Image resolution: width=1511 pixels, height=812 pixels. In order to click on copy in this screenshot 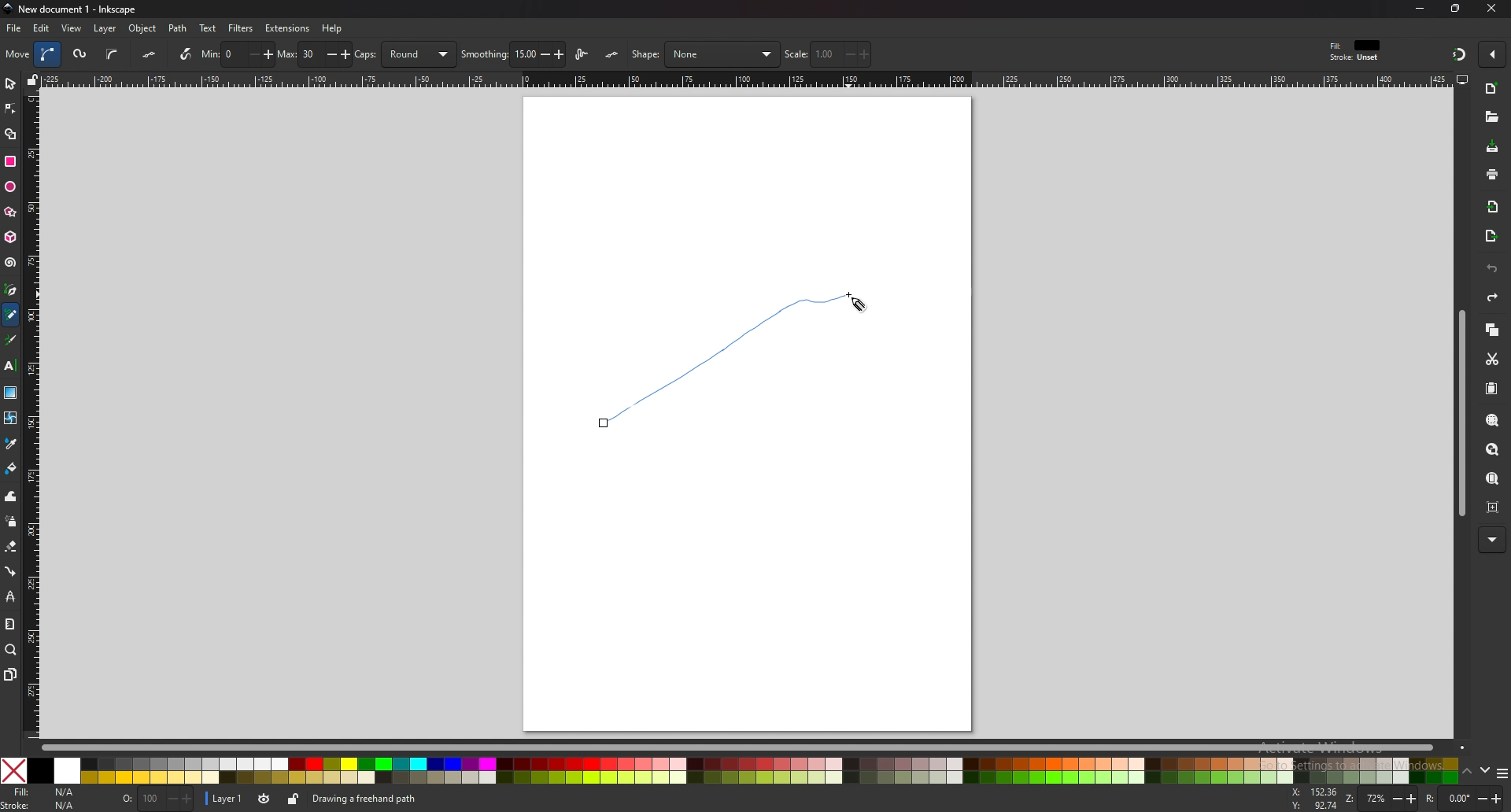, I will do `click(1491, 330)`.